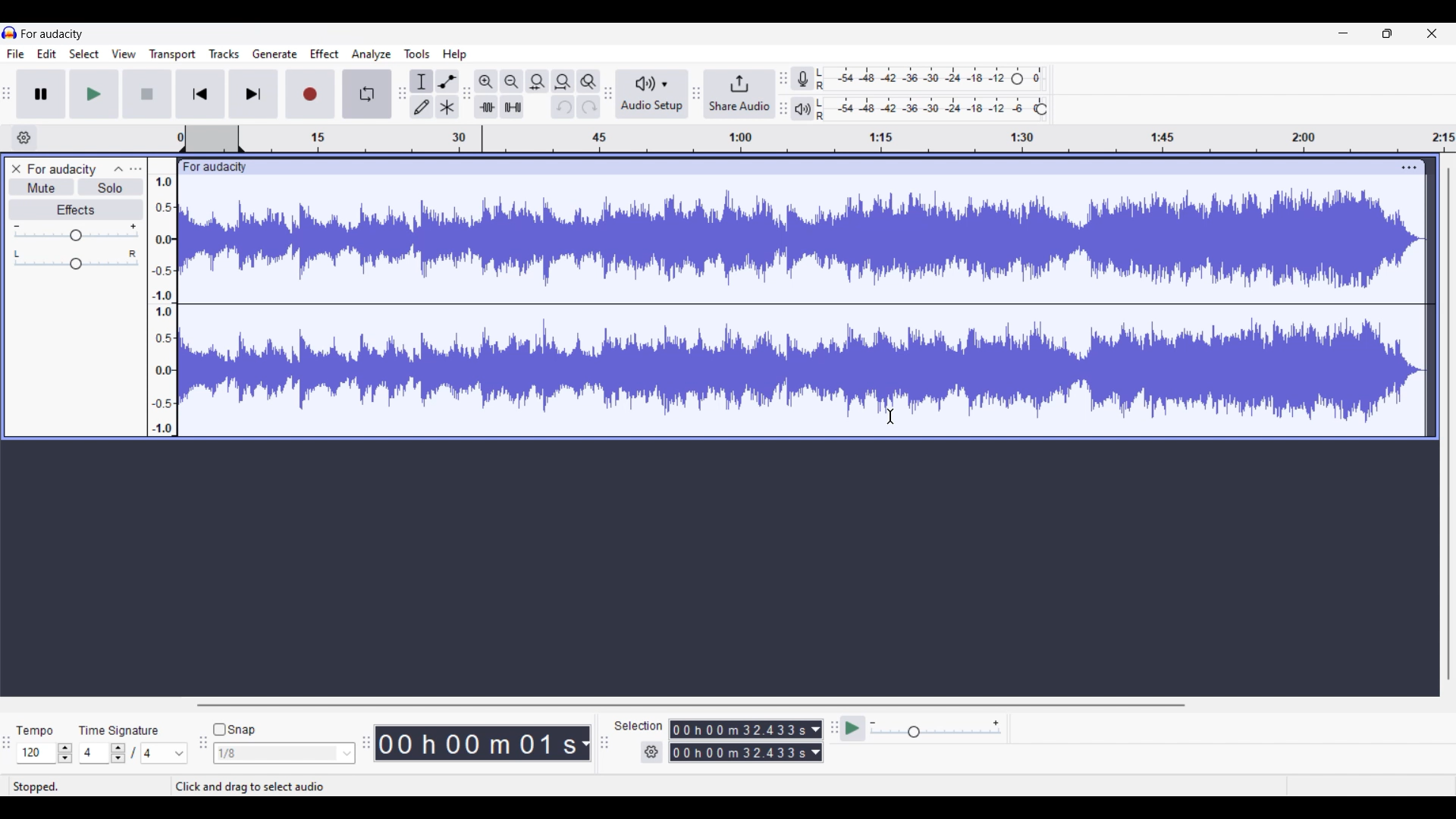 This screenshot has height=819, width=1456. What do you see at coordinates (110, 187) in the screenshot?
I see `Solo` at bounding box center [110, 187].